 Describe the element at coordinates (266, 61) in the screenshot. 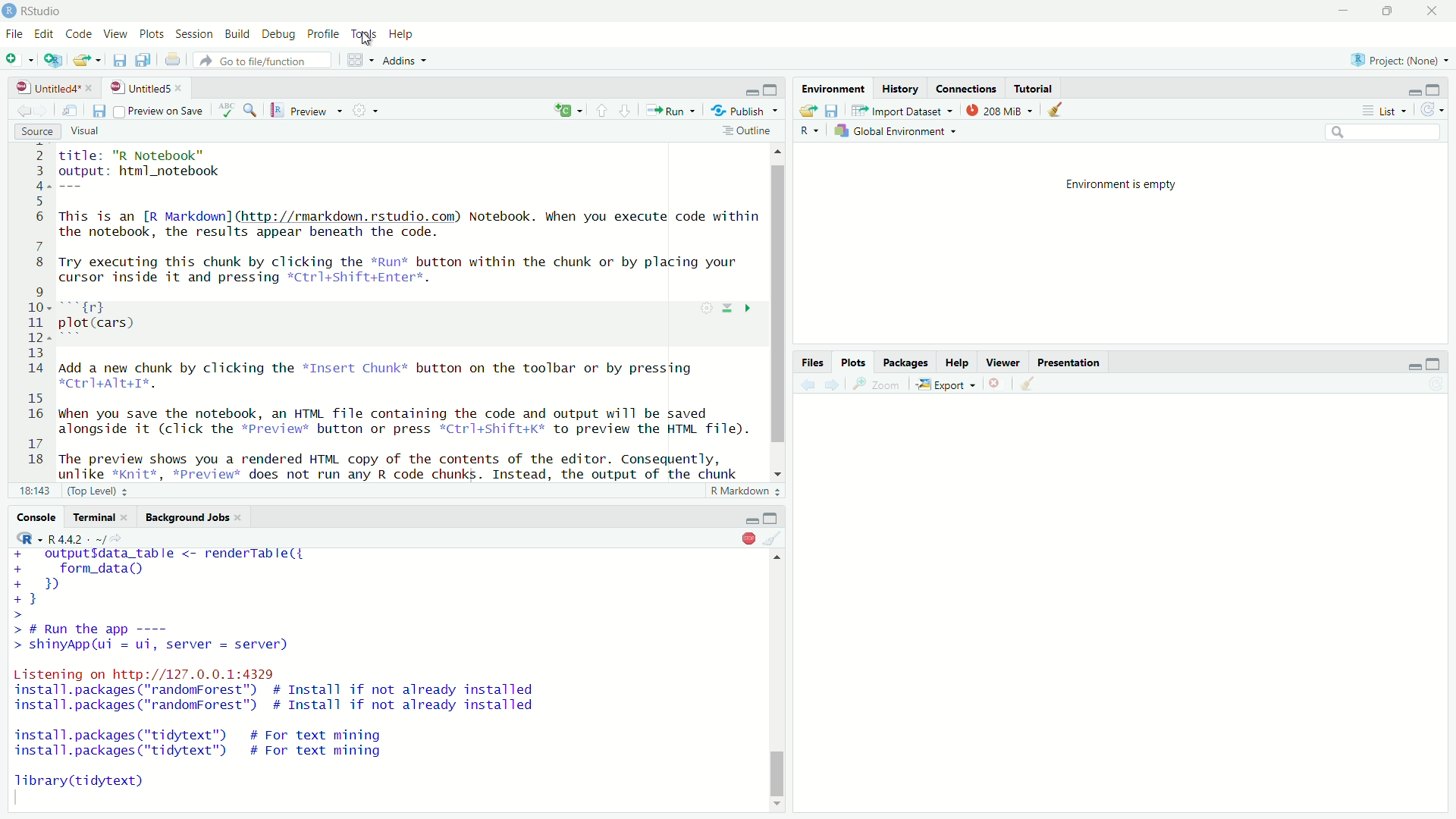

I see `Go to file/function` at that location.